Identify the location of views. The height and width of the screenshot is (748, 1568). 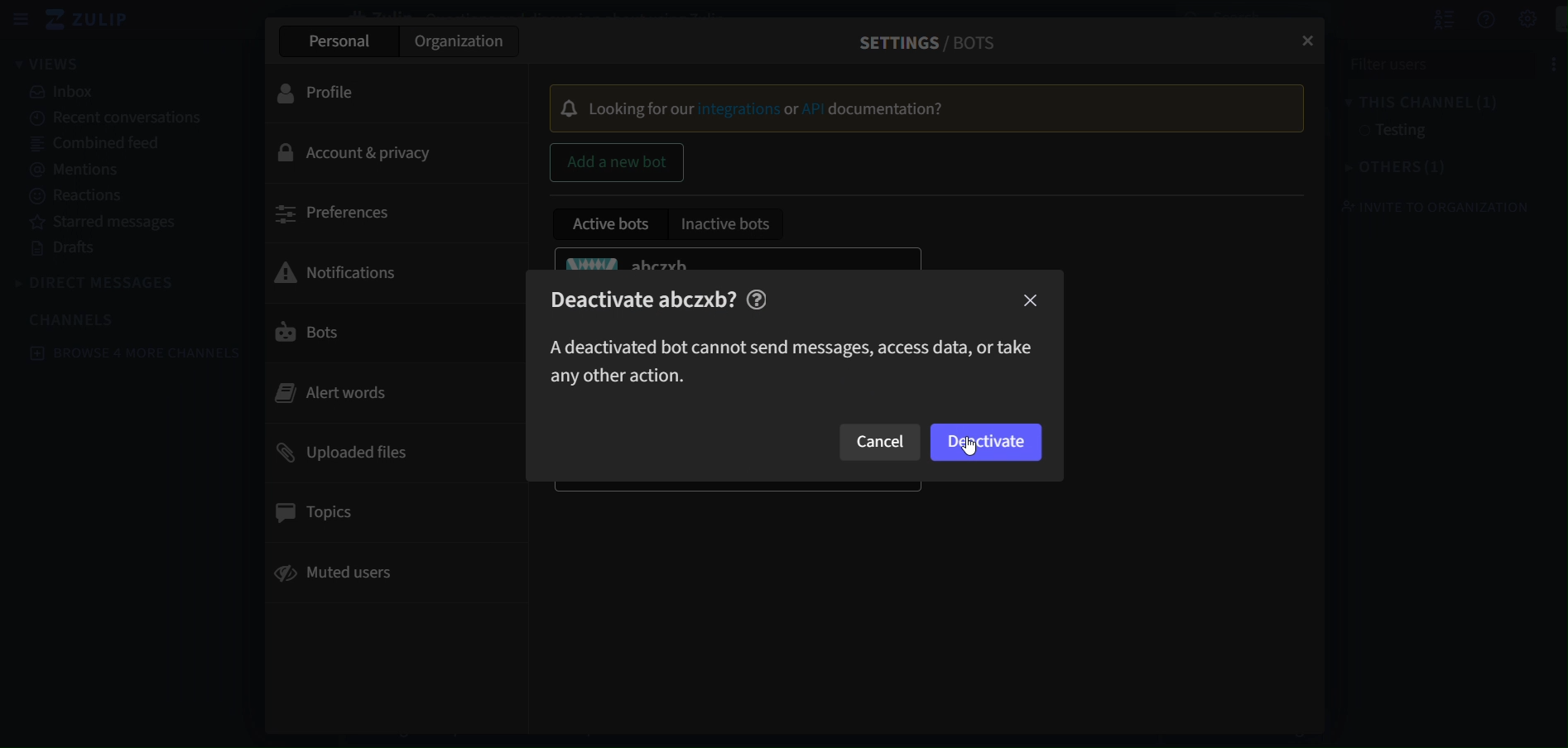
(62, 63).